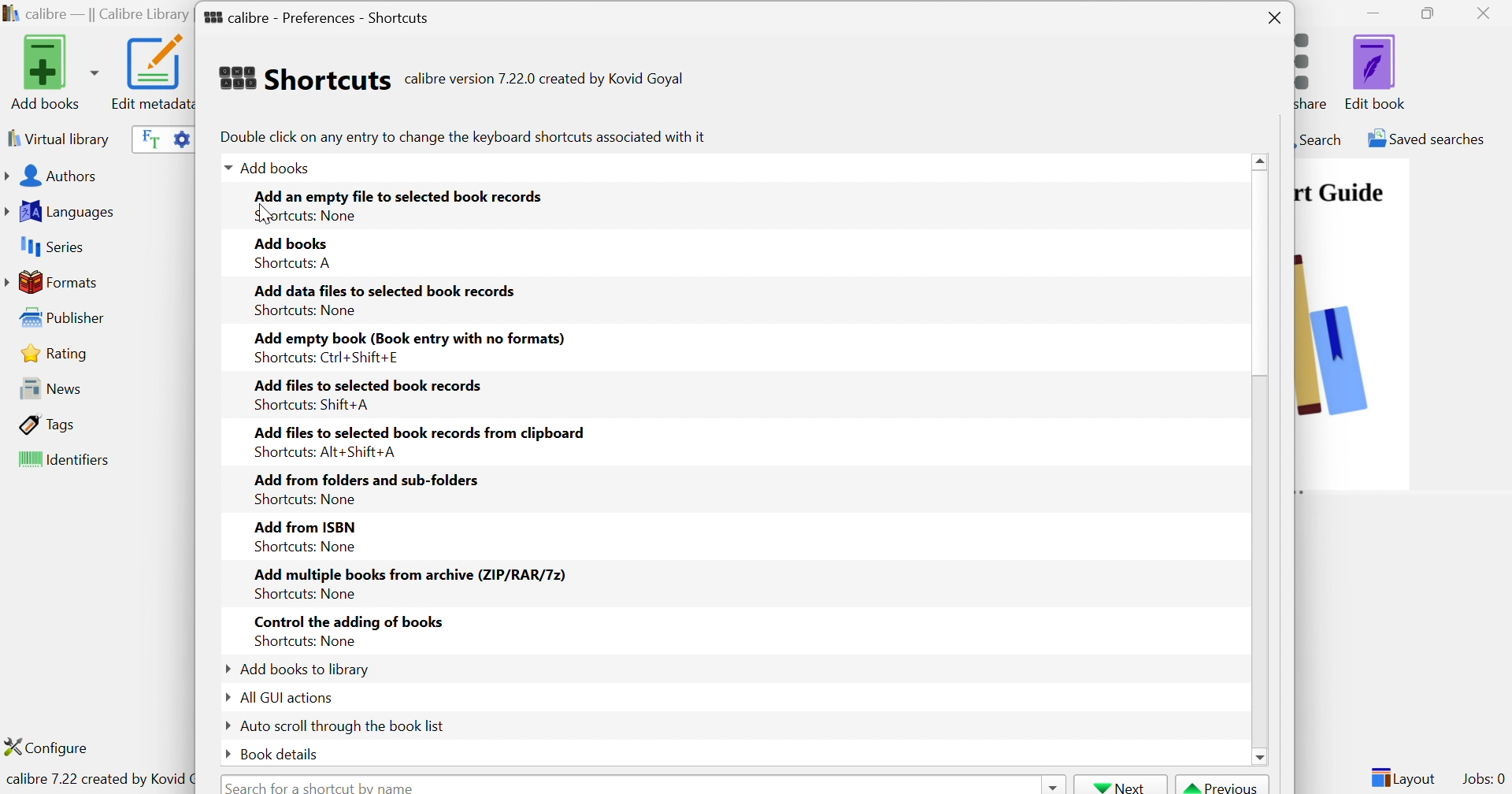  What do you see at coordinates (347, 622) in the screenshot?
I see `Control the adding of books` at bounding box center [347, 622].